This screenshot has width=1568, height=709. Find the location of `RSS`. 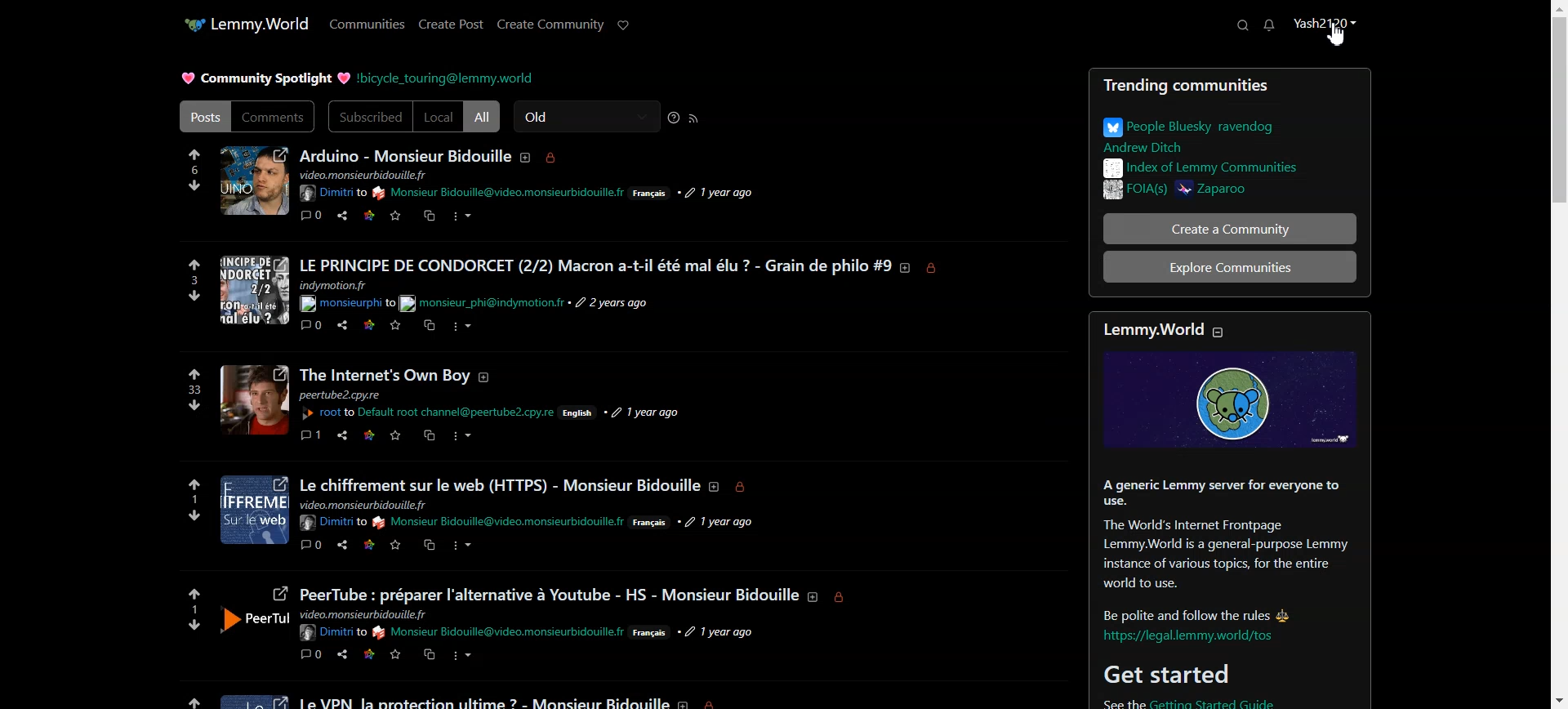

RSS is located at coordinates (694, 118).